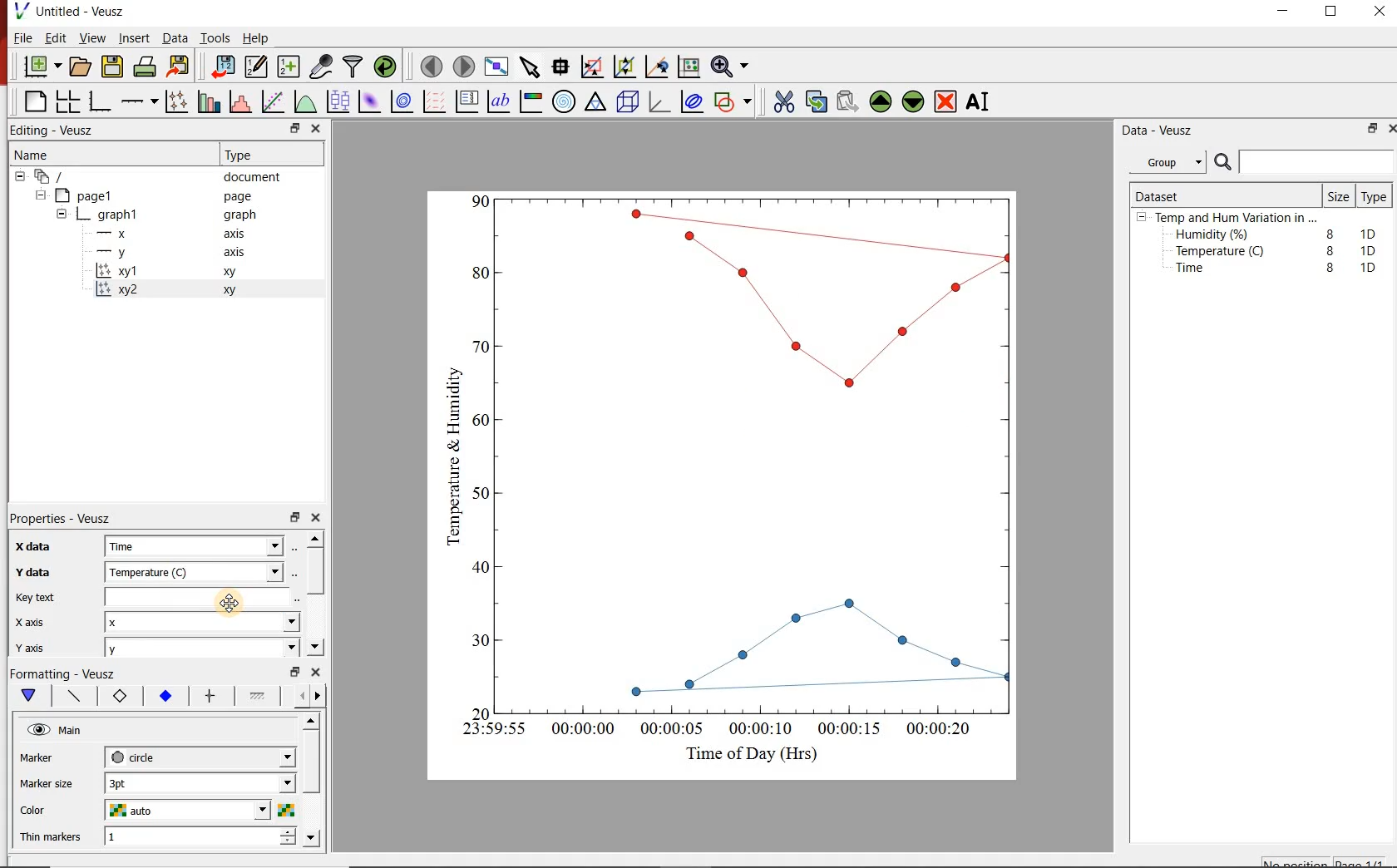  I want to click on Search bar, so click(1304, 162).